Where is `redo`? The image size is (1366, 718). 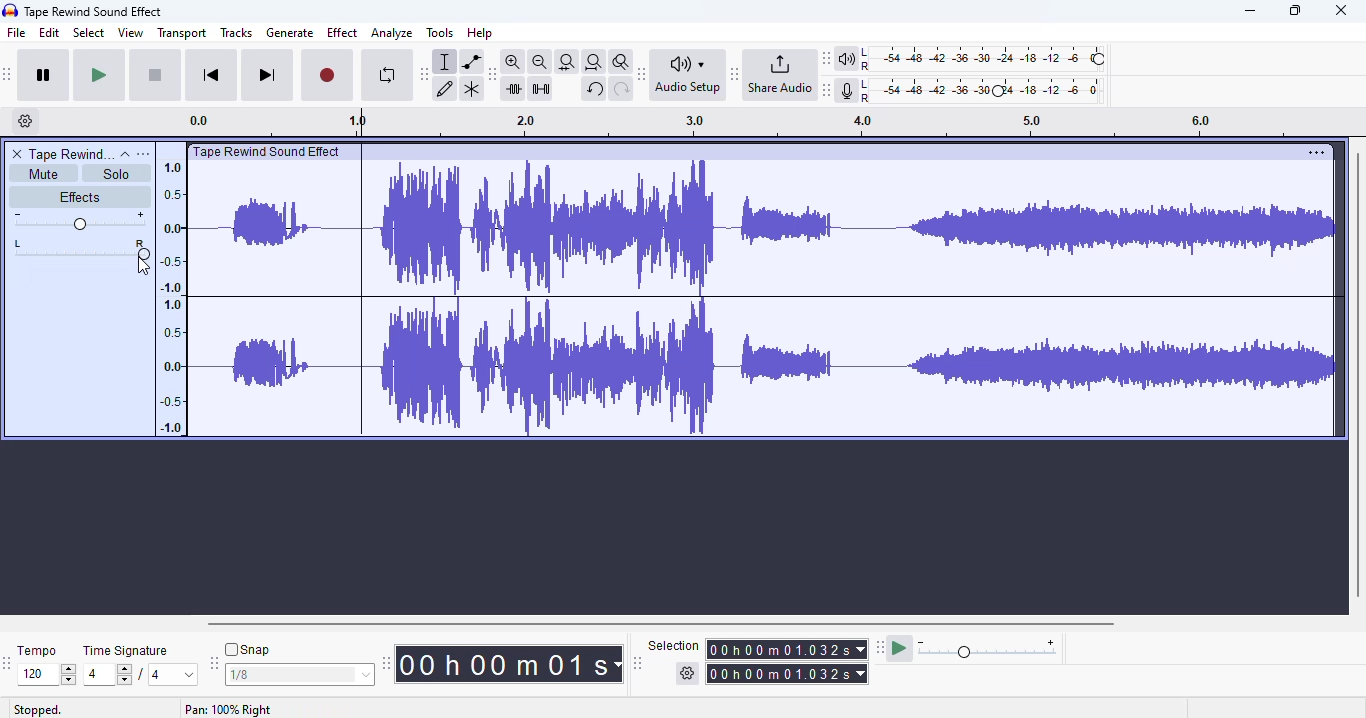 redo is located at coordinates (622, 90).